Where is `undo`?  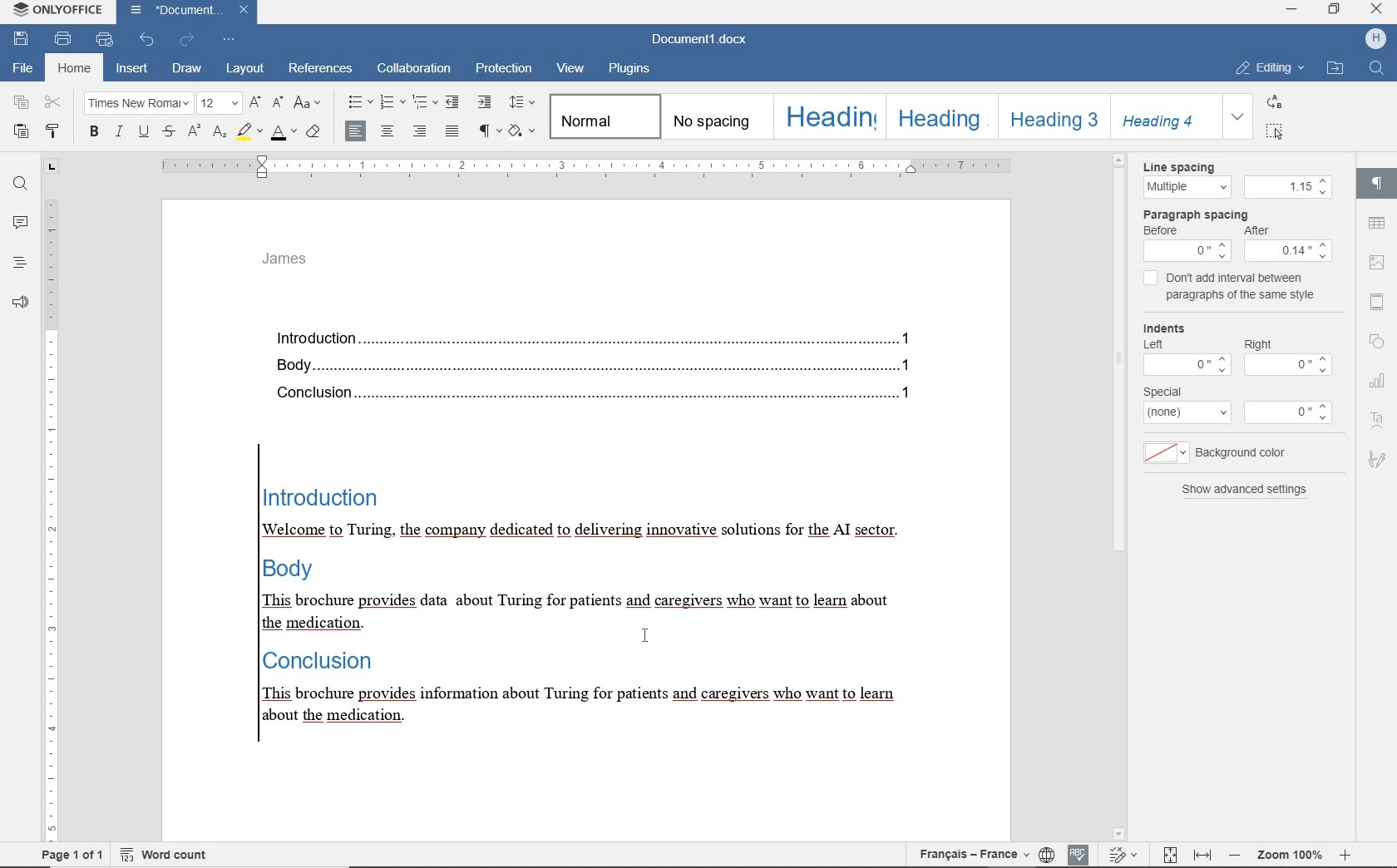
undo is located at coordinates (144, 40).